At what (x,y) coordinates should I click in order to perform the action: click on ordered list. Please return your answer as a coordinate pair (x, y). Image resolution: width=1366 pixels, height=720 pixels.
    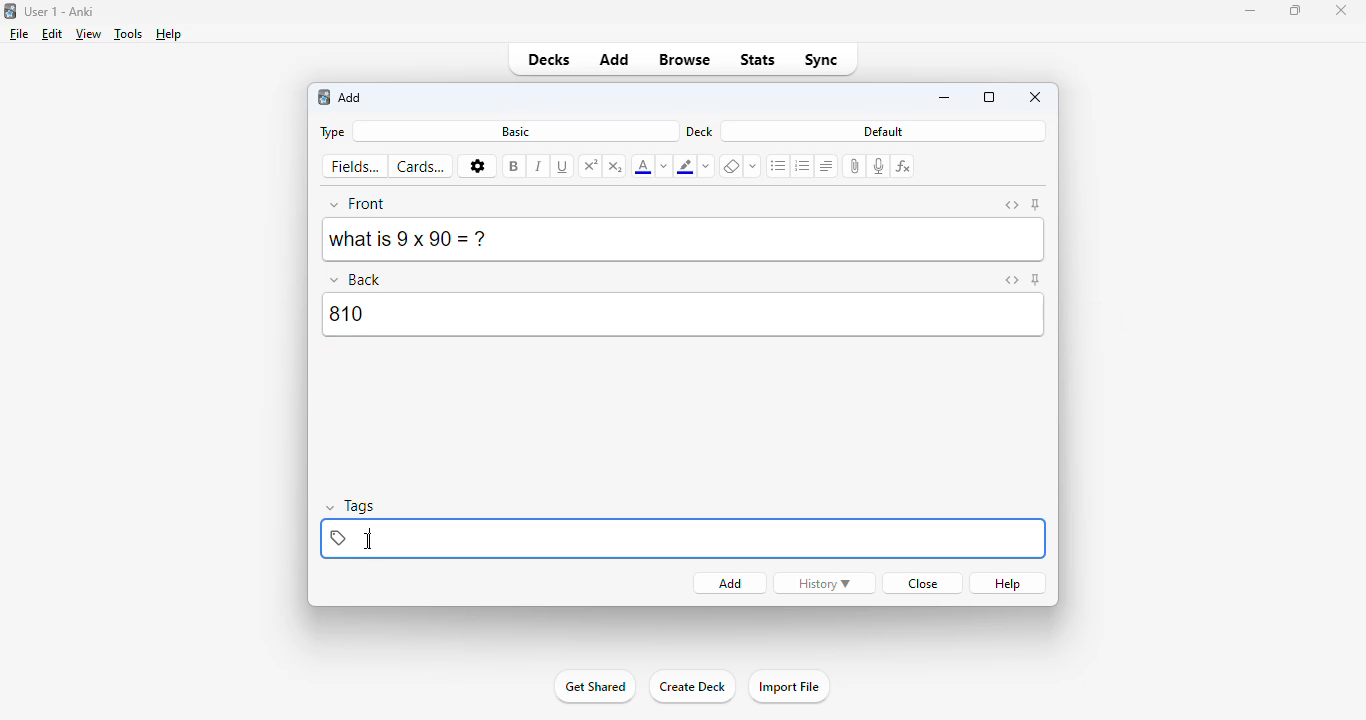
    Looking at the image, I should click on (803, 166).